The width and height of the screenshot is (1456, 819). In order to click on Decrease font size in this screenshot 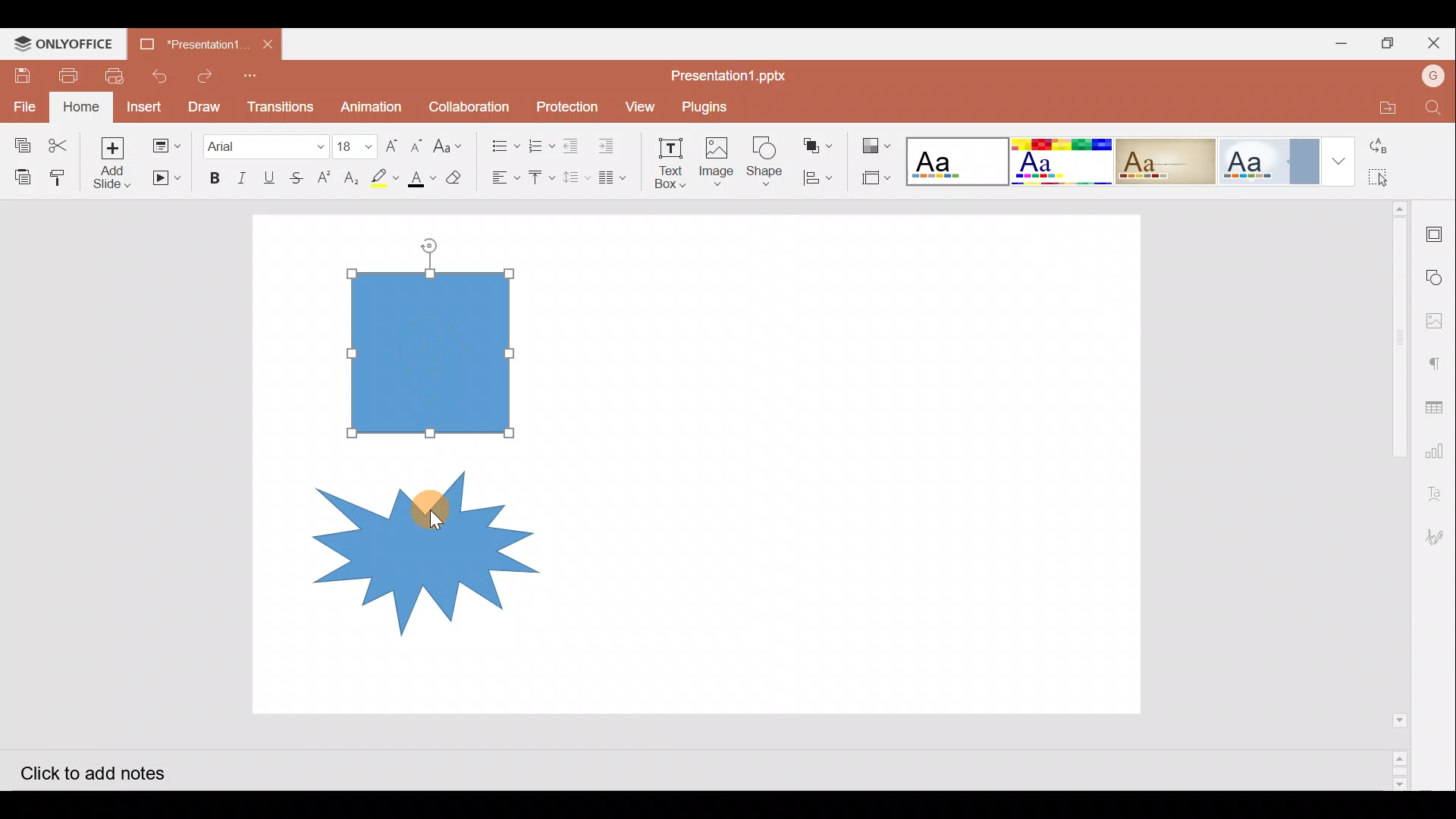, I will do `click(419, 143)`.